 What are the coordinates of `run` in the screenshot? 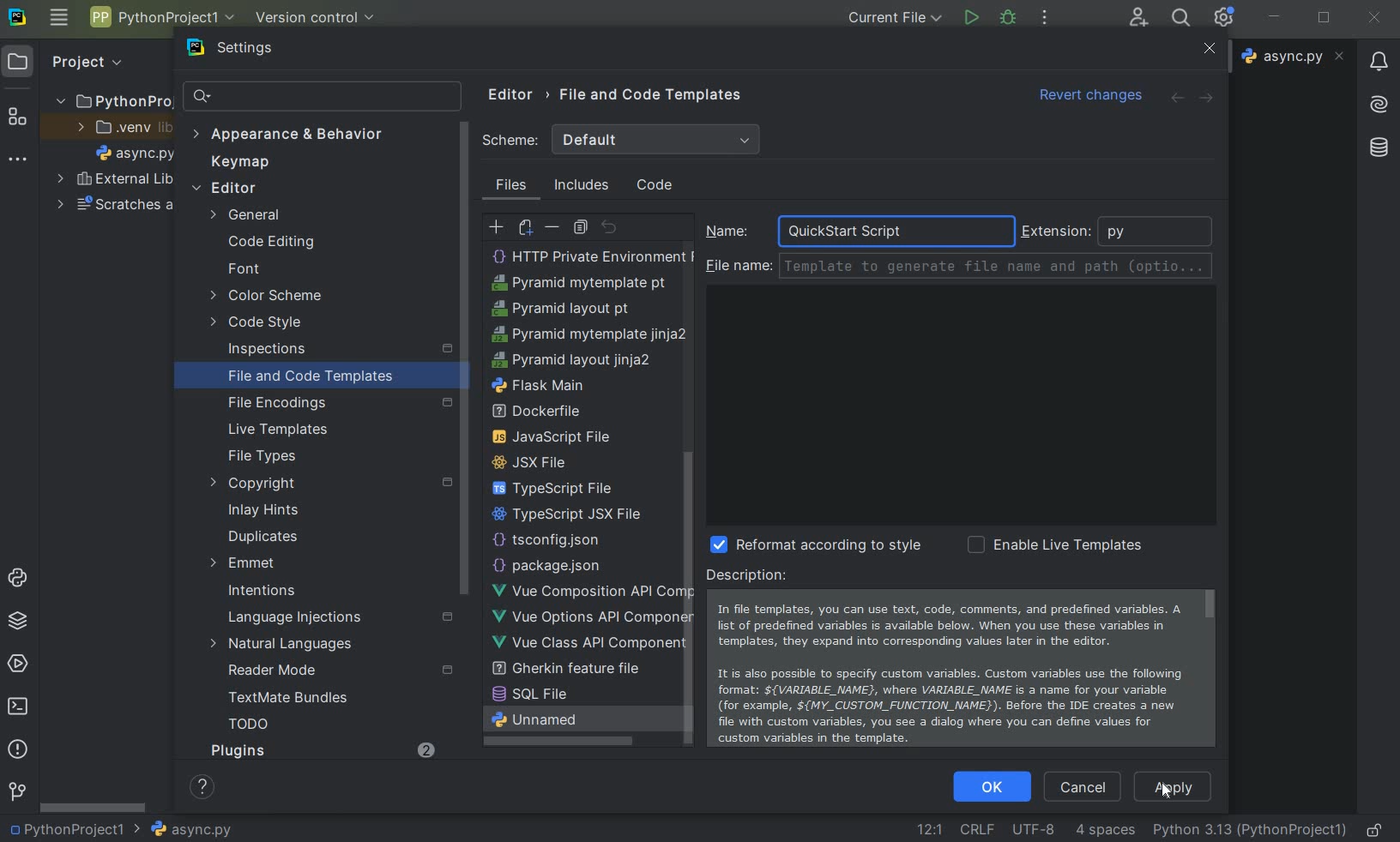 It's located at (970, 18).